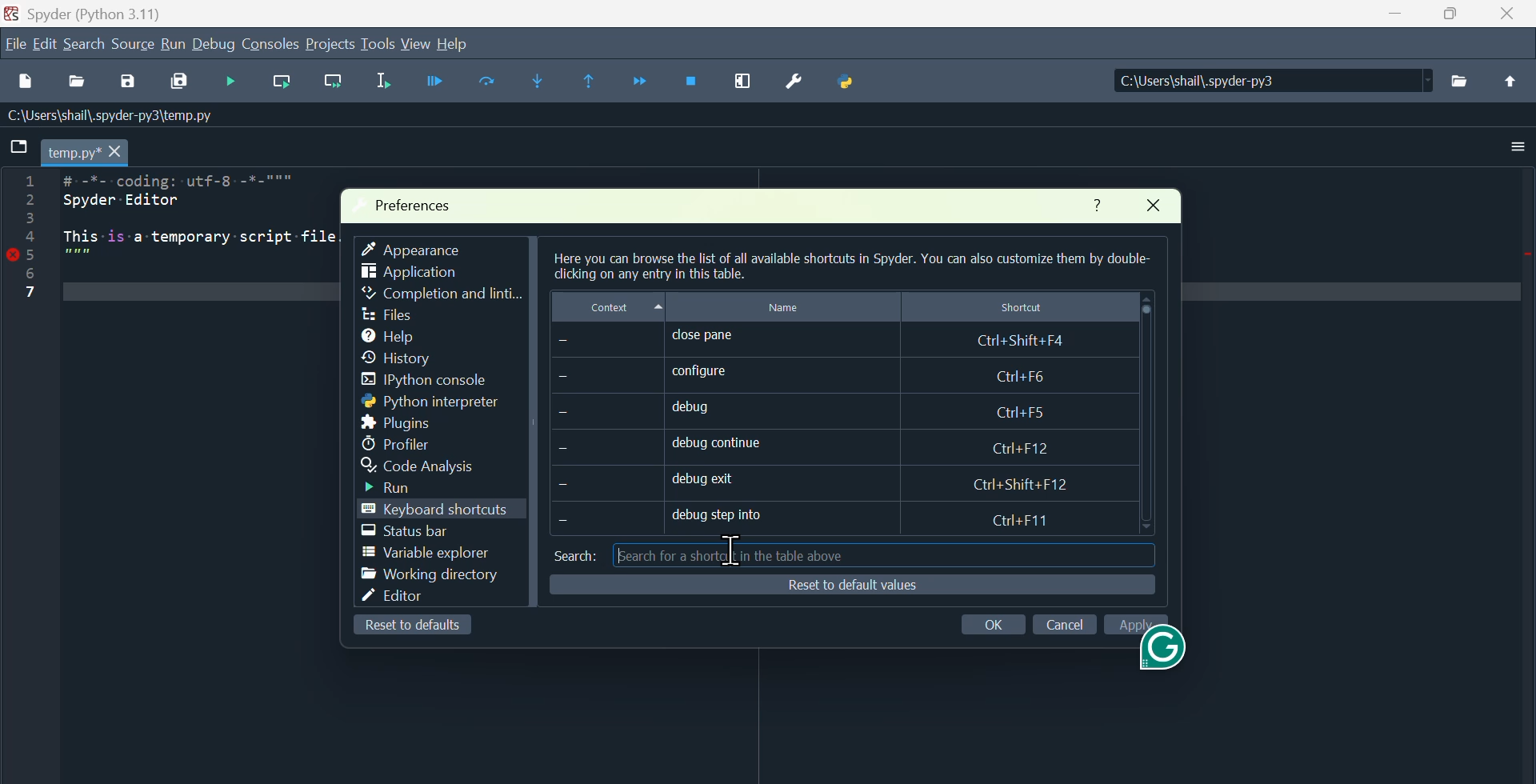 Image resolution: width=1536 pixels, height=784 pixels. I want to click on Continue execution until next function, so click(641, 78).